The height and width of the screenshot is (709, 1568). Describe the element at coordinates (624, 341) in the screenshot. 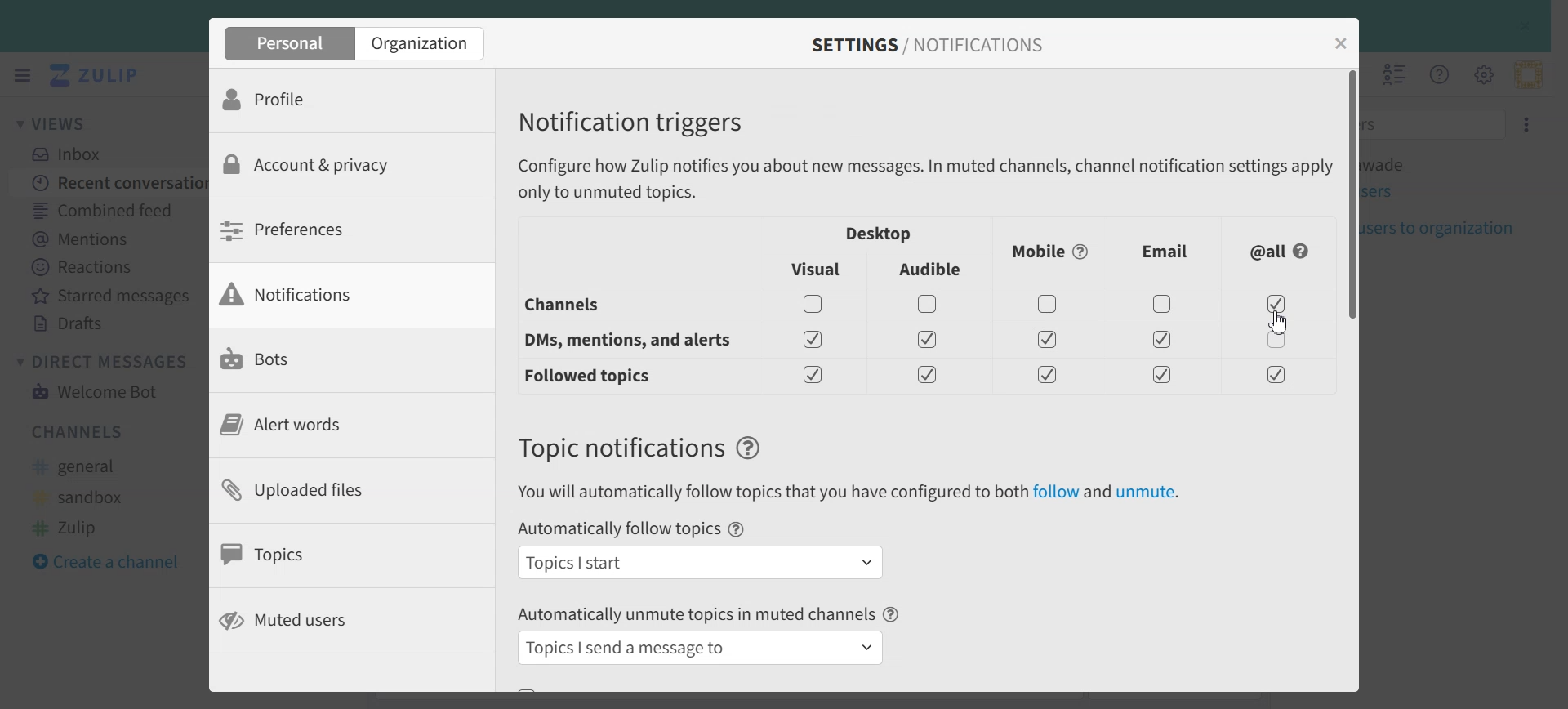

I see `DM, mentions and alert` at that location.